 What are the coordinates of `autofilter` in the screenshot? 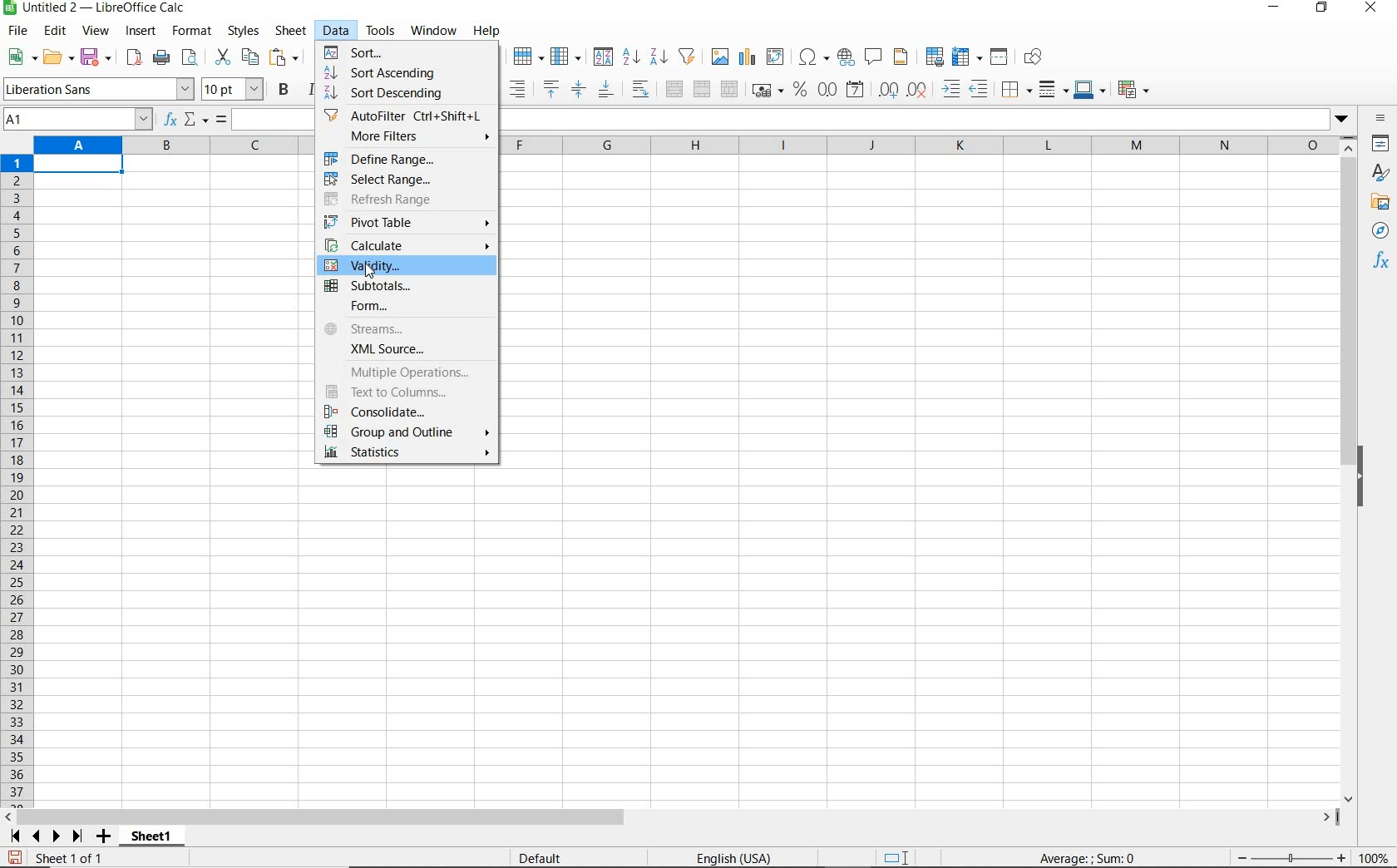 It's located at (402, 116).